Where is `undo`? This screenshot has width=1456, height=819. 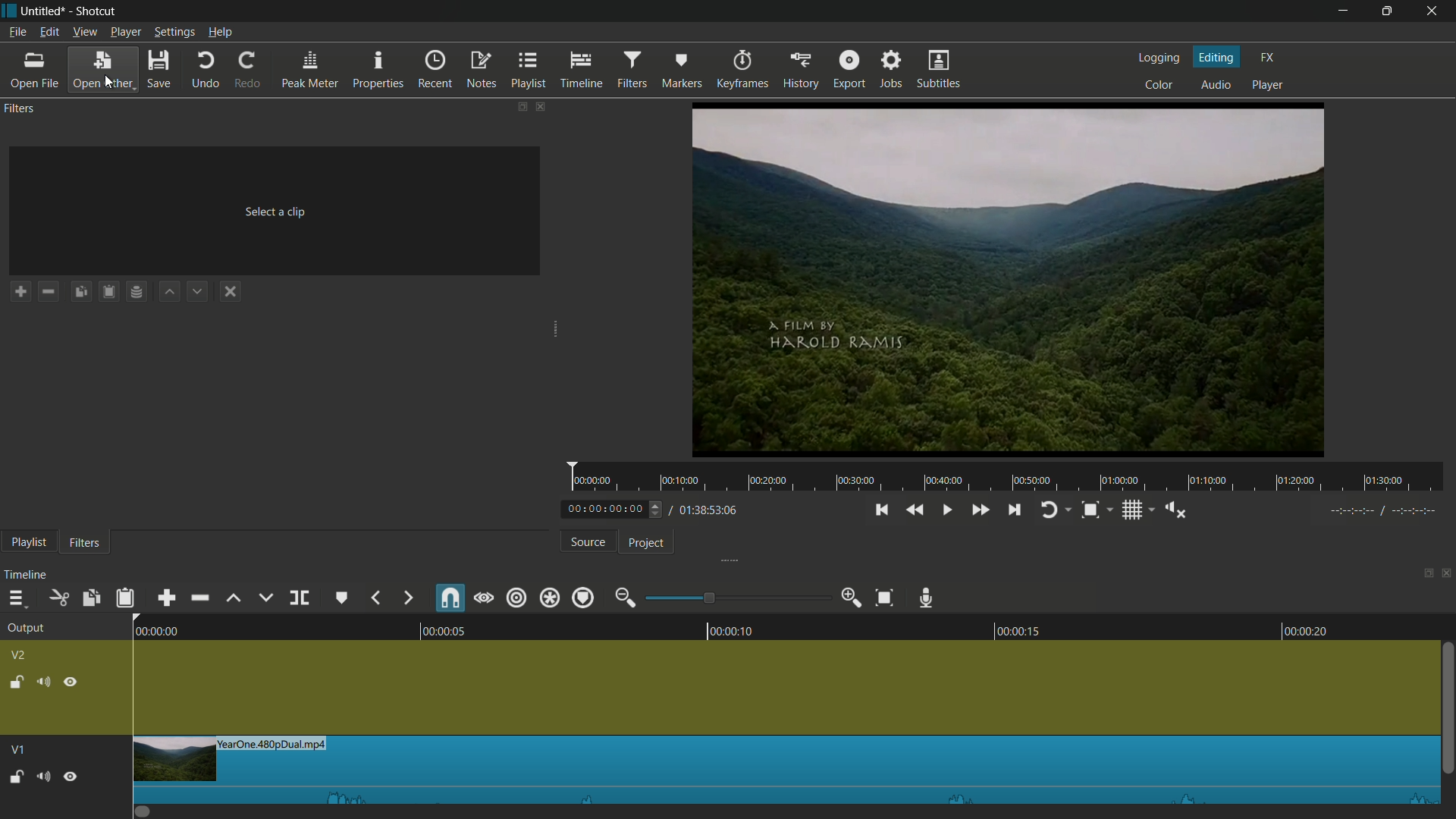 undo is located at coordinates (206, 71).